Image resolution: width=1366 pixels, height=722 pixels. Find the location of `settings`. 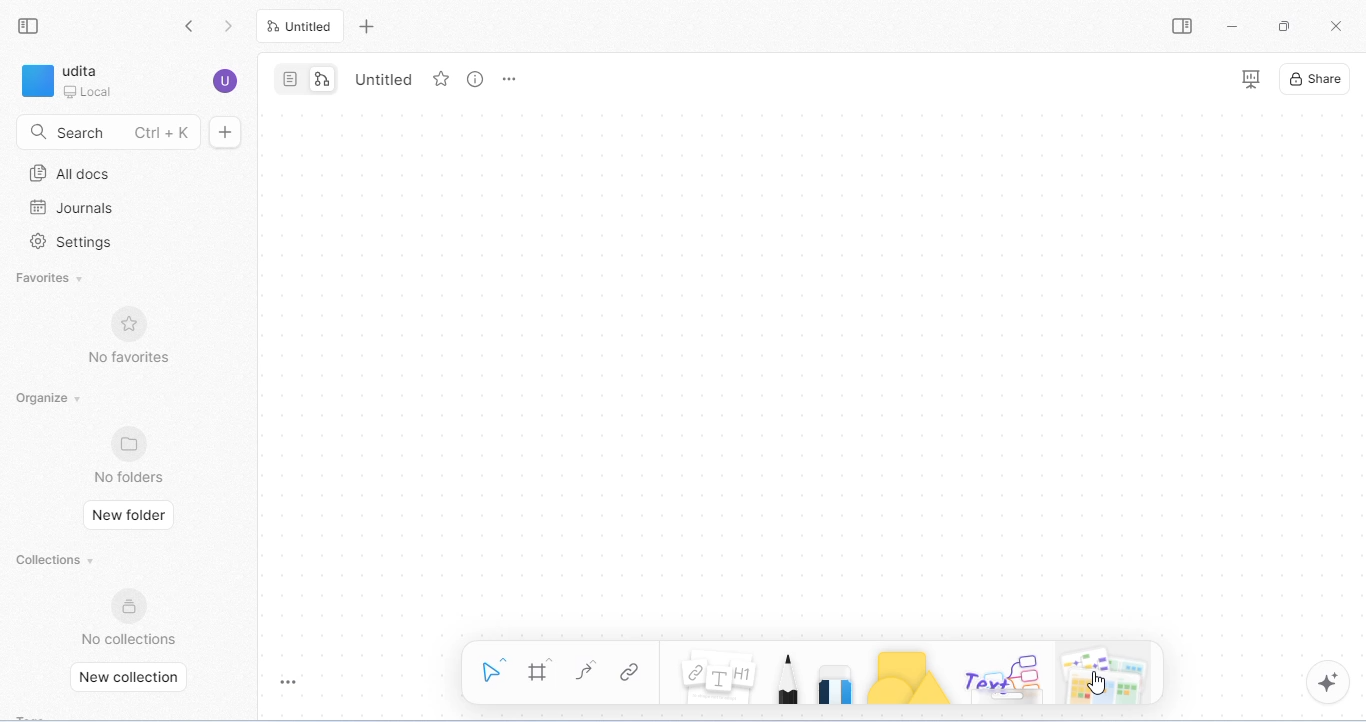

settings is located at coordinates (75, 243).